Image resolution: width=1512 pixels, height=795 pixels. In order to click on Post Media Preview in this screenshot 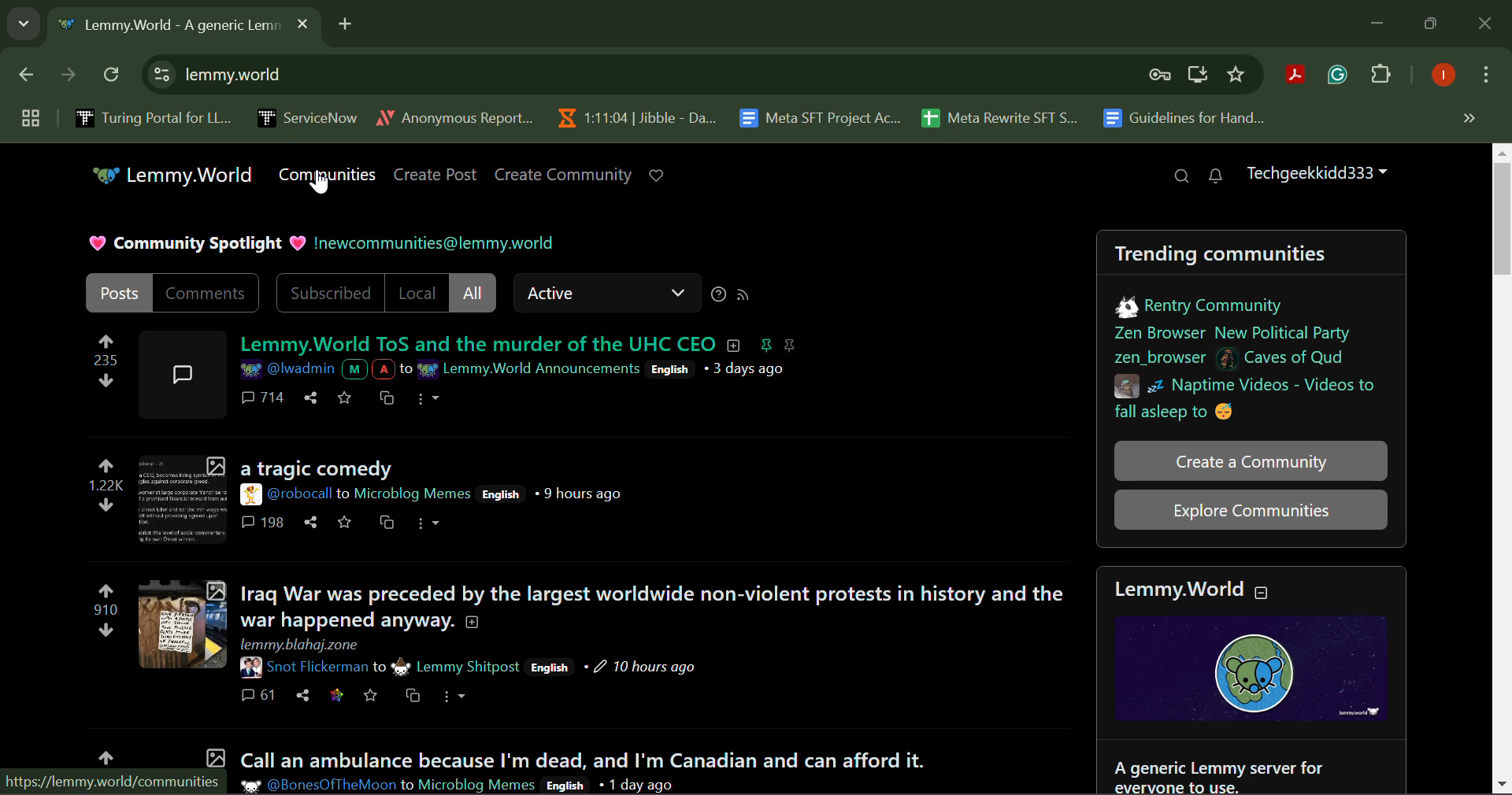, I will do `click(181, 624)`.